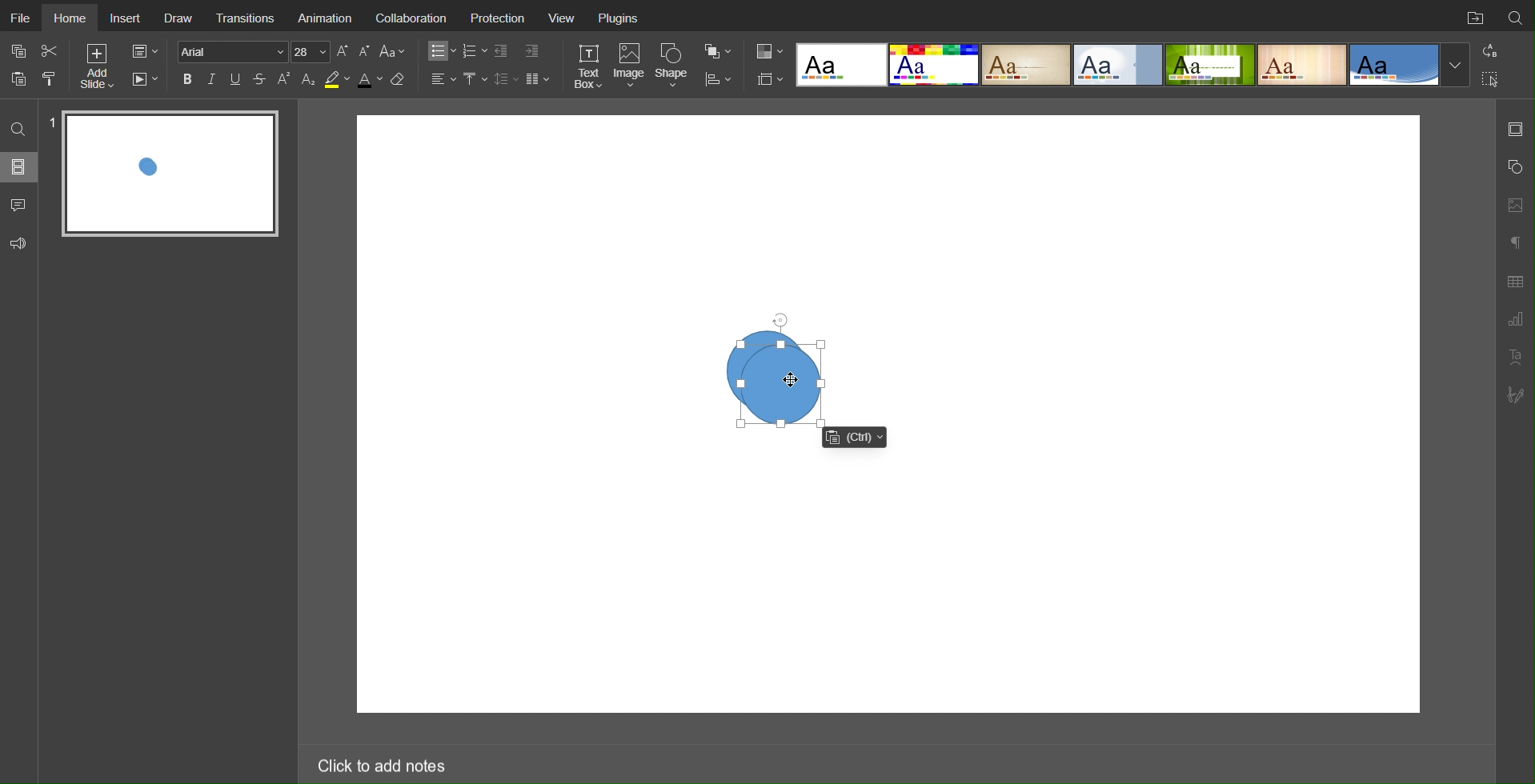 The width and height of the screenshot is (1535, 784). I want to click on Text Box, so click(587, 66).